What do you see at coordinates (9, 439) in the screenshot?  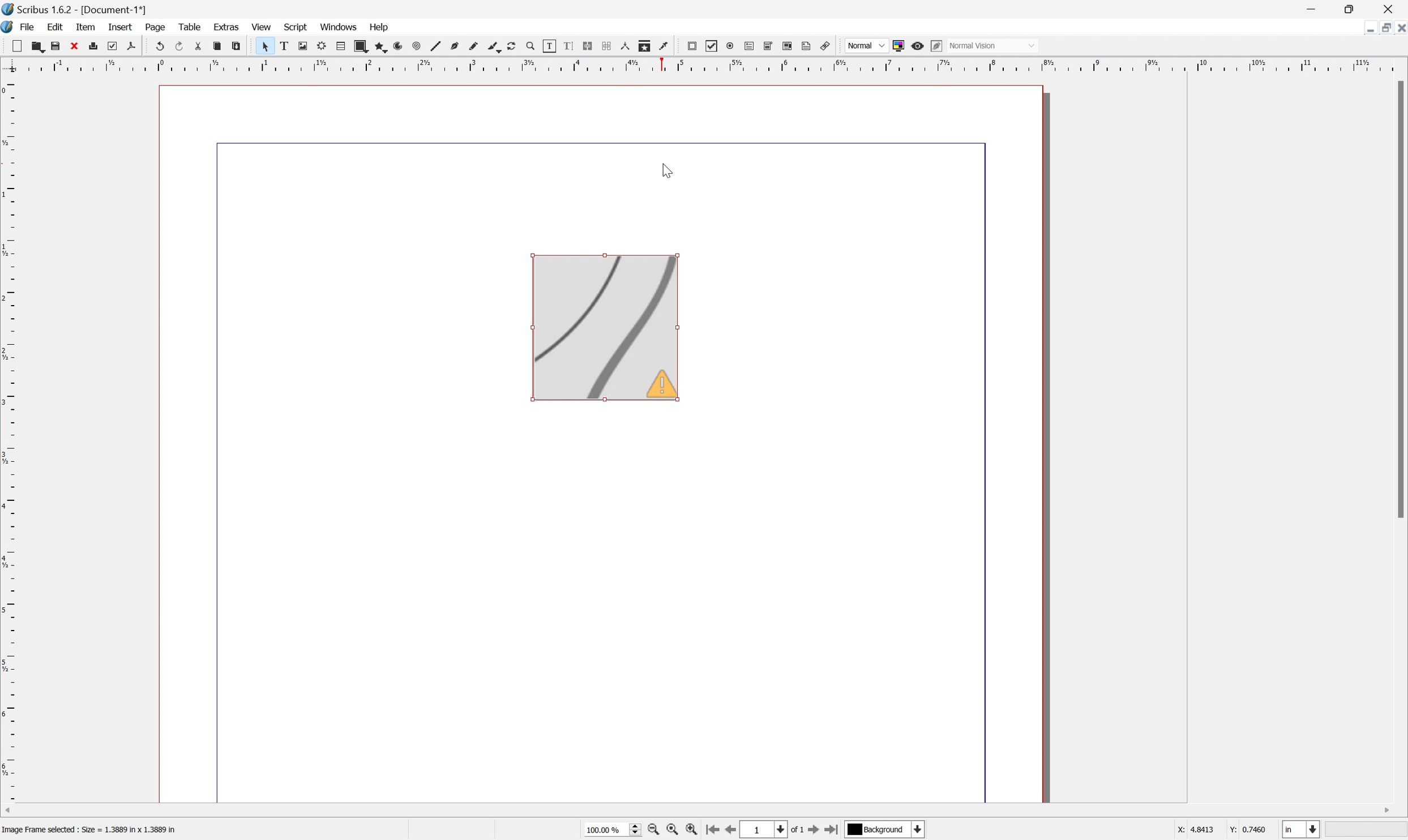 I see `Scale` at bounding box center [9, 439].